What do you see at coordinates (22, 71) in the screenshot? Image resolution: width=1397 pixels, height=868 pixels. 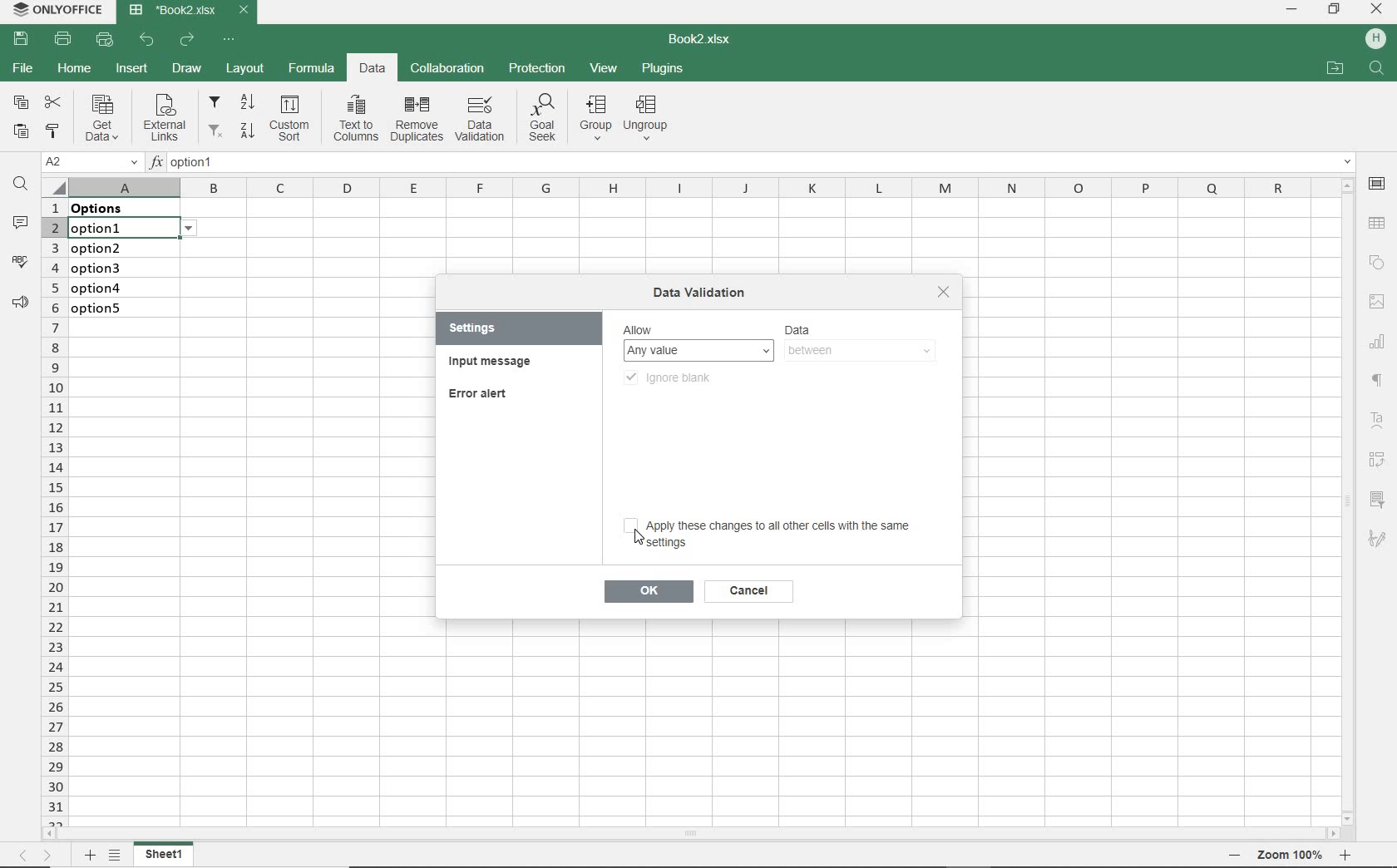 I see `FILE` at bounding box center [22, 71].